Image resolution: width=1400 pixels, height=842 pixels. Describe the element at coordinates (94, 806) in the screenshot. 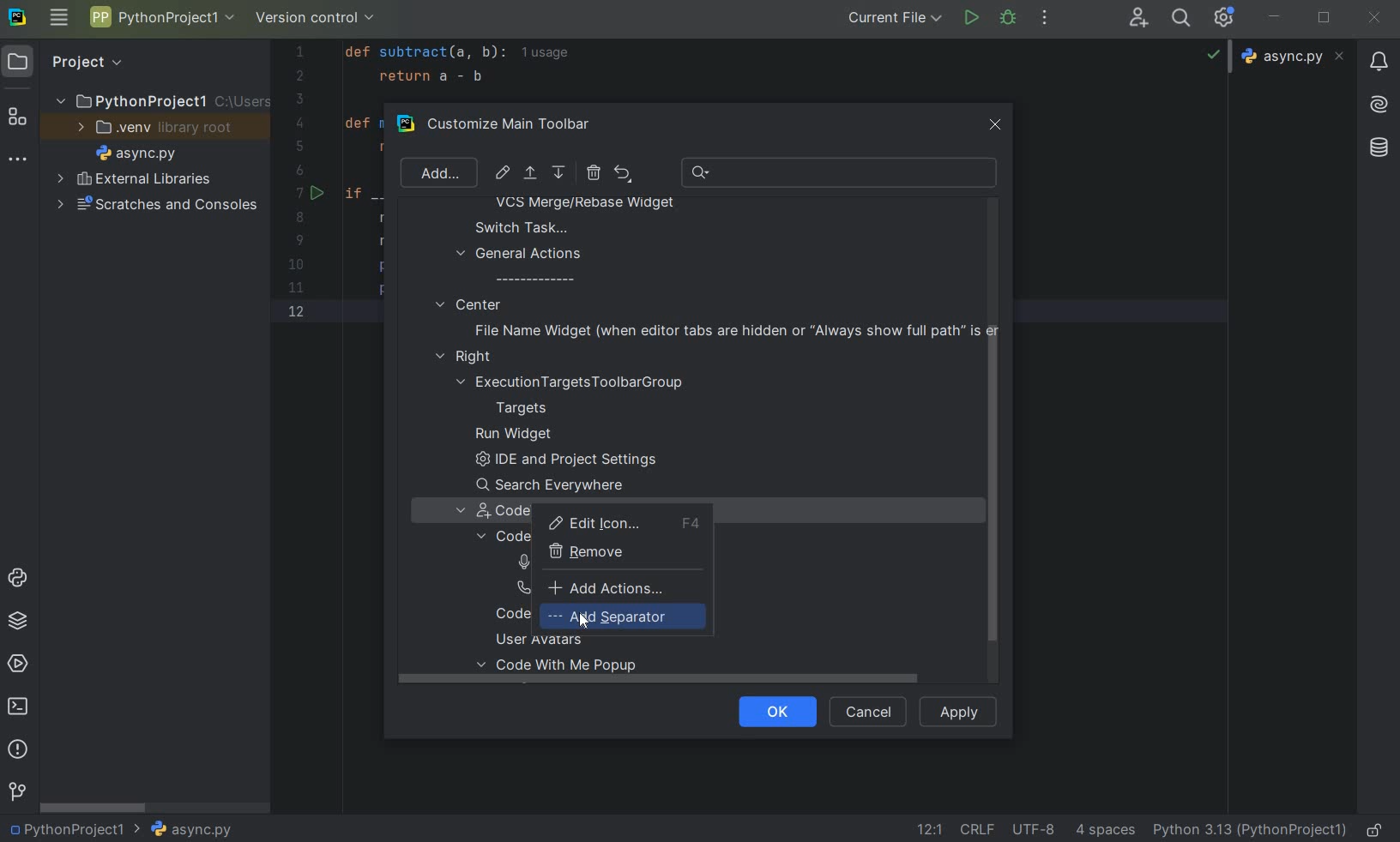

I see `SCROLLBAR` at that location.